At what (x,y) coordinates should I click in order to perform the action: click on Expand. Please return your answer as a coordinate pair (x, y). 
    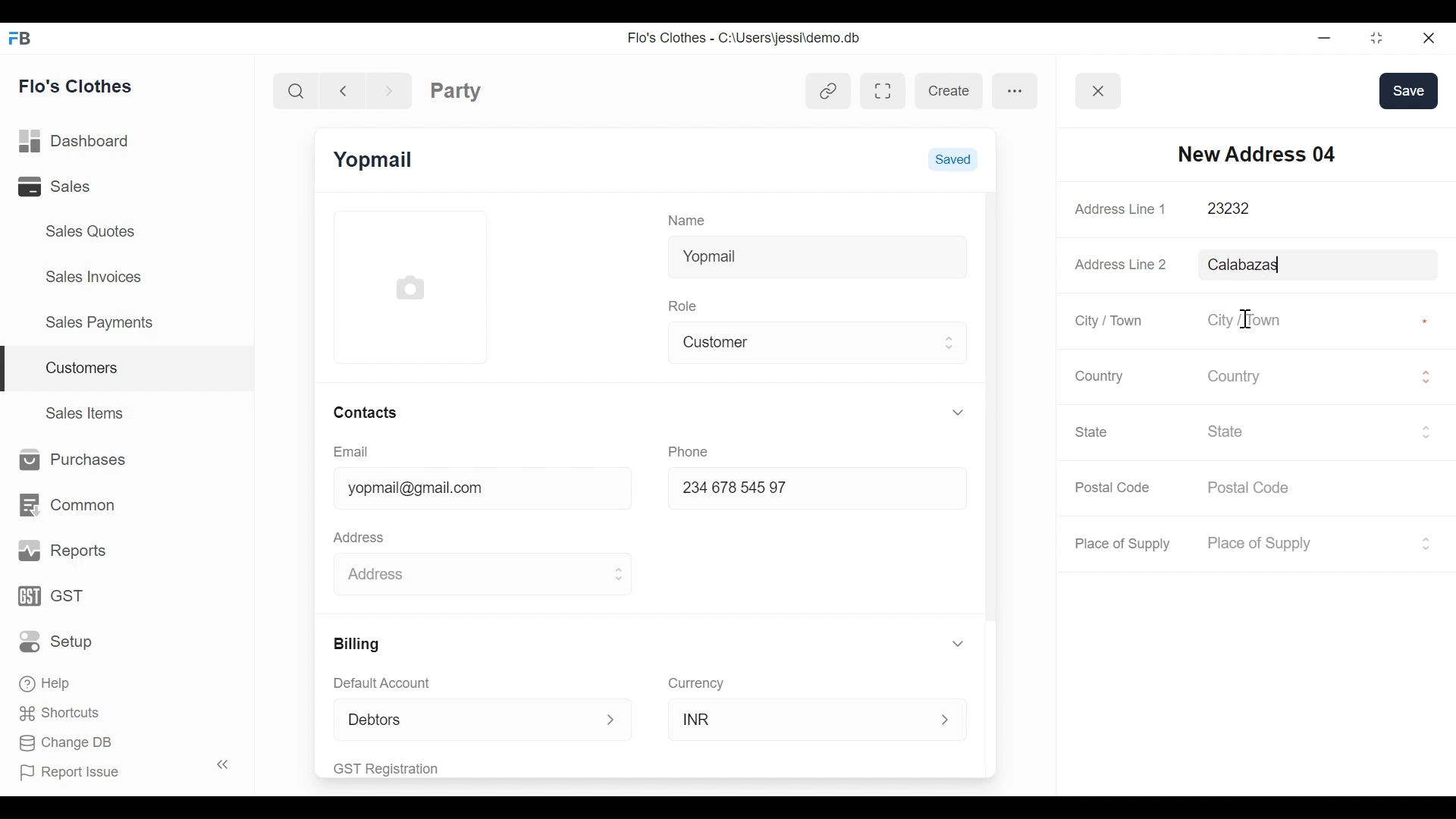
    Looking at the image, I should click on (1426, 377).